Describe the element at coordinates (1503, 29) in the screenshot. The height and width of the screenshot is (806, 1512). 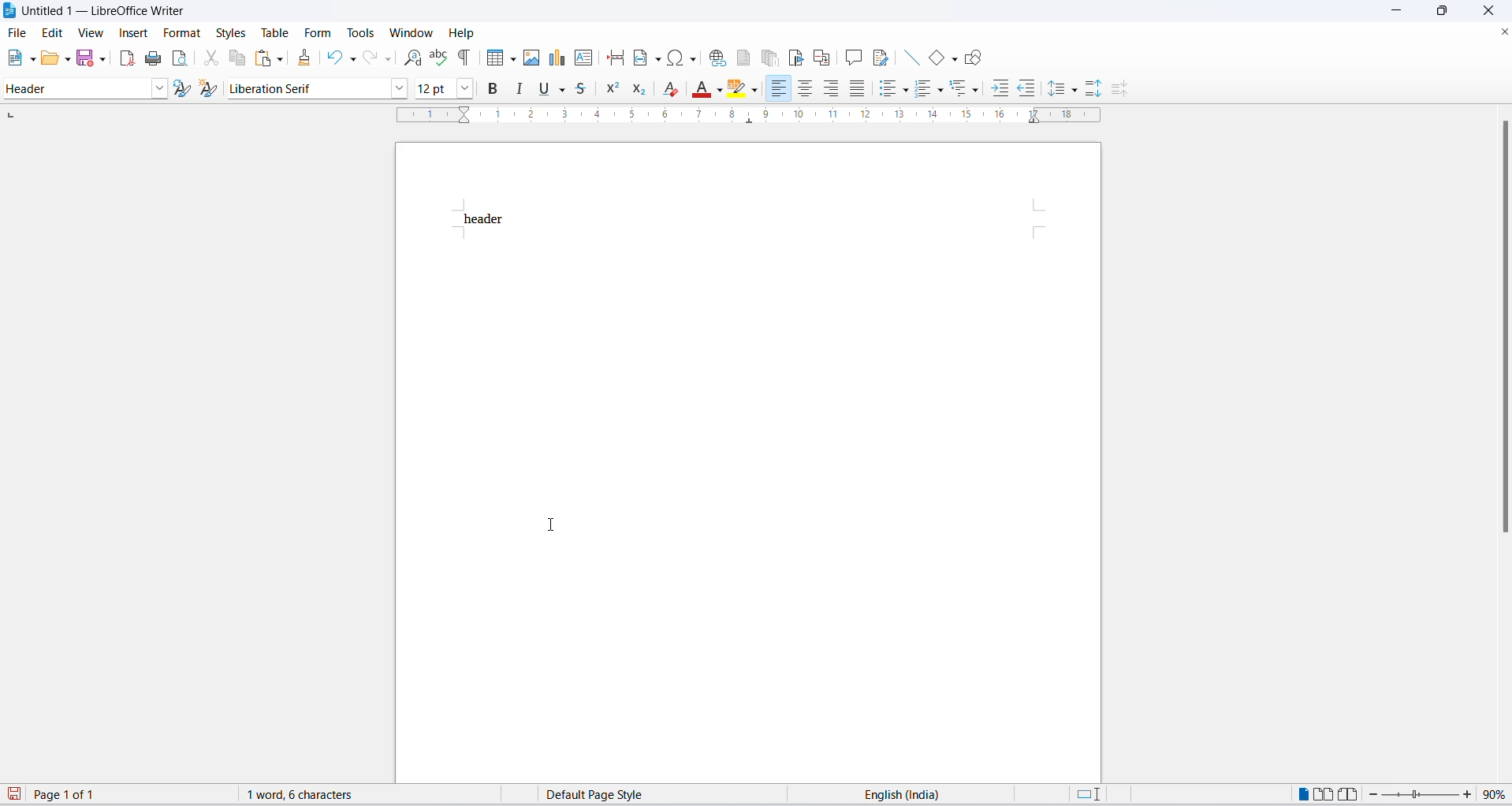
I see `close` at that location.